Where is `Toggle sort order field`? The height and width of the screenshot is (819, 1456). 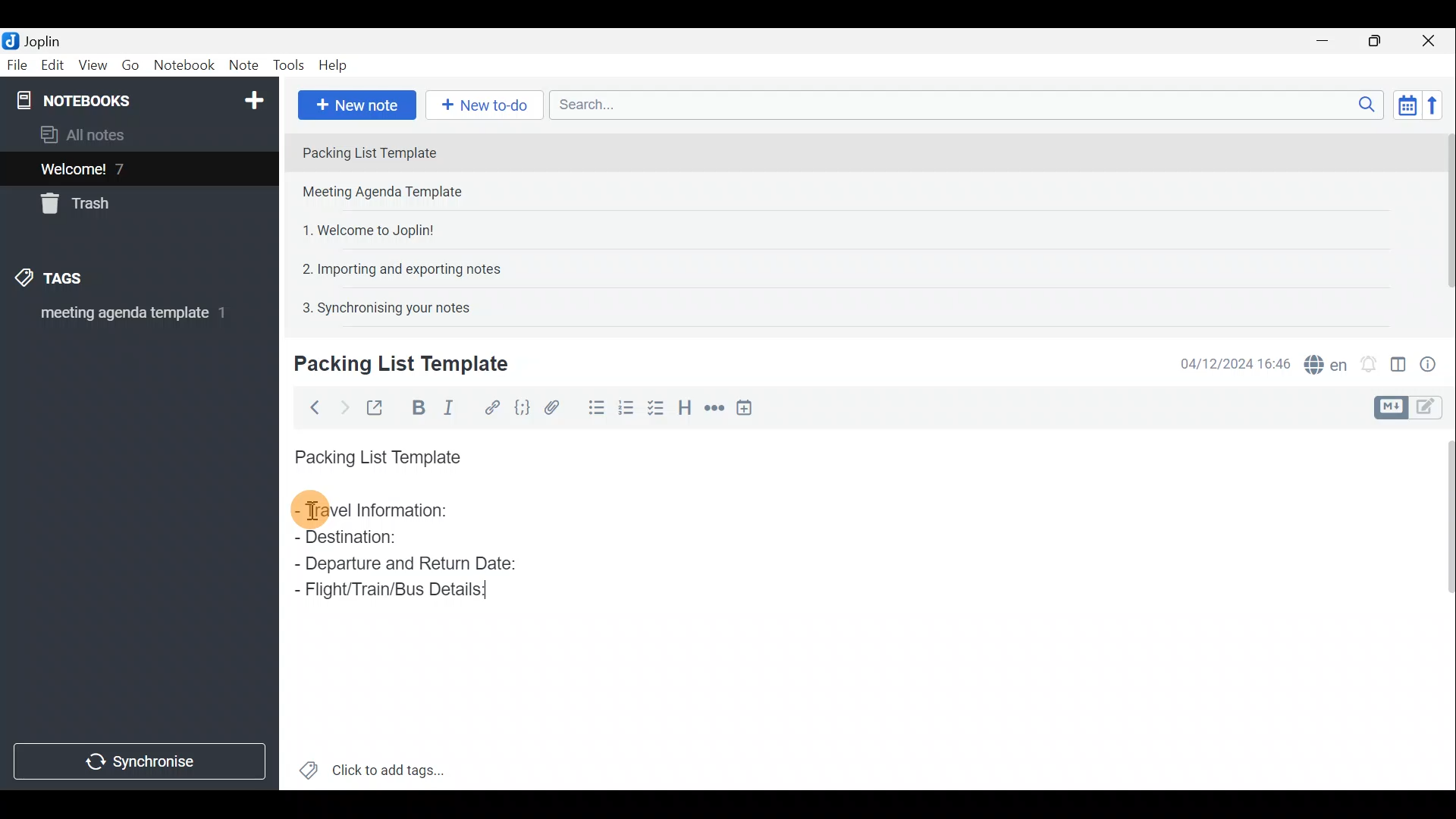 Toggle sort order field is located at coordinates (1402, 105).